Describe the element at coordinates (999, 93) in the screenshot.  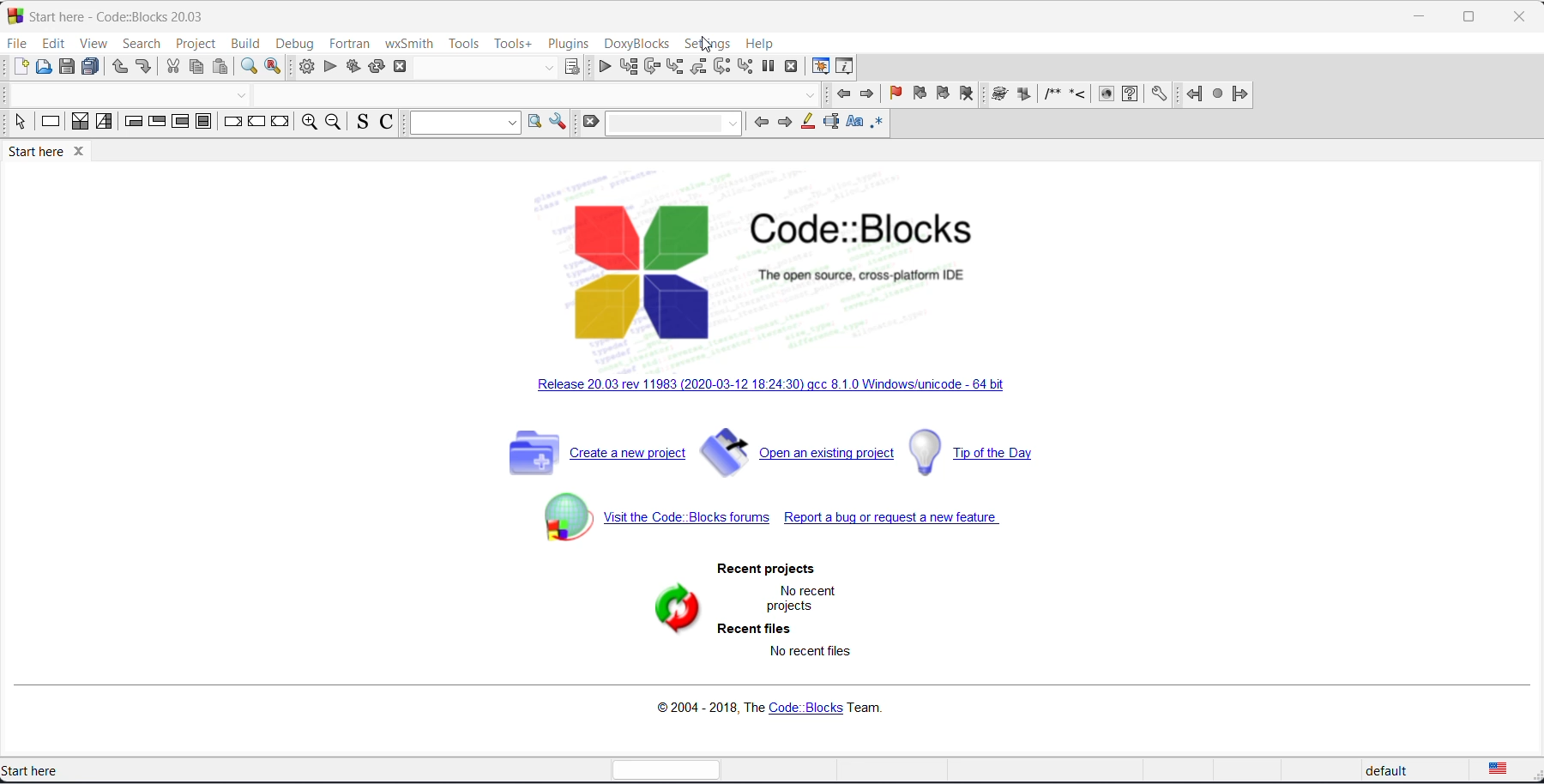
I see `block` at that location.